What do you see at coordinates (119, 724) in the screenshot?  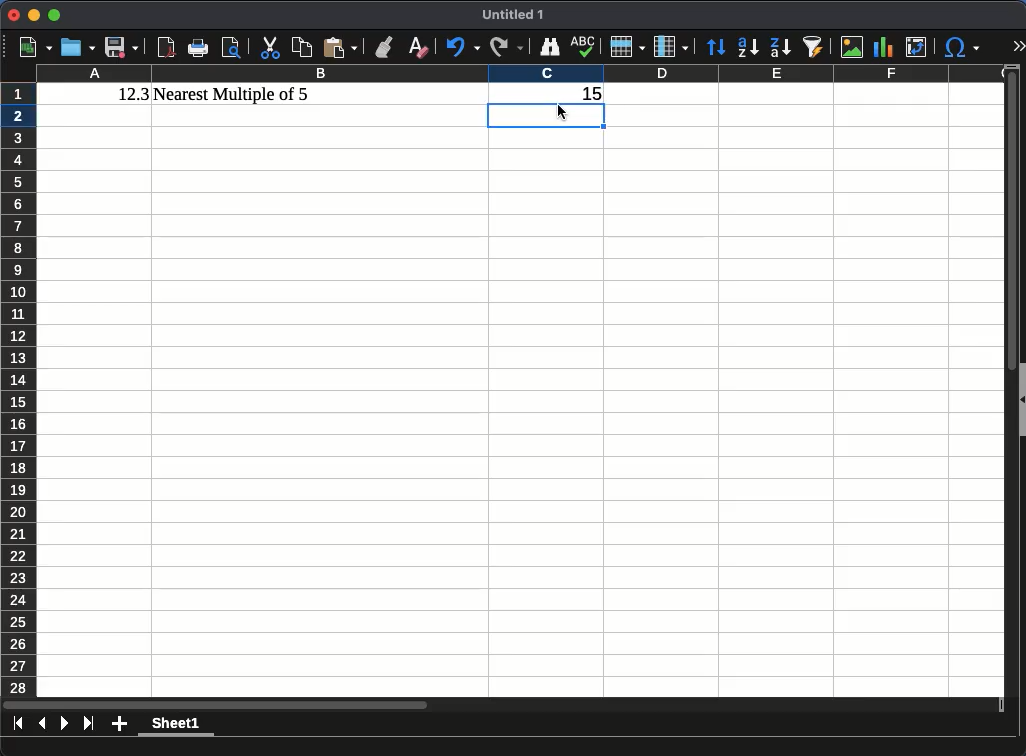 I see `add sheet` at bounding box center [119, 724].